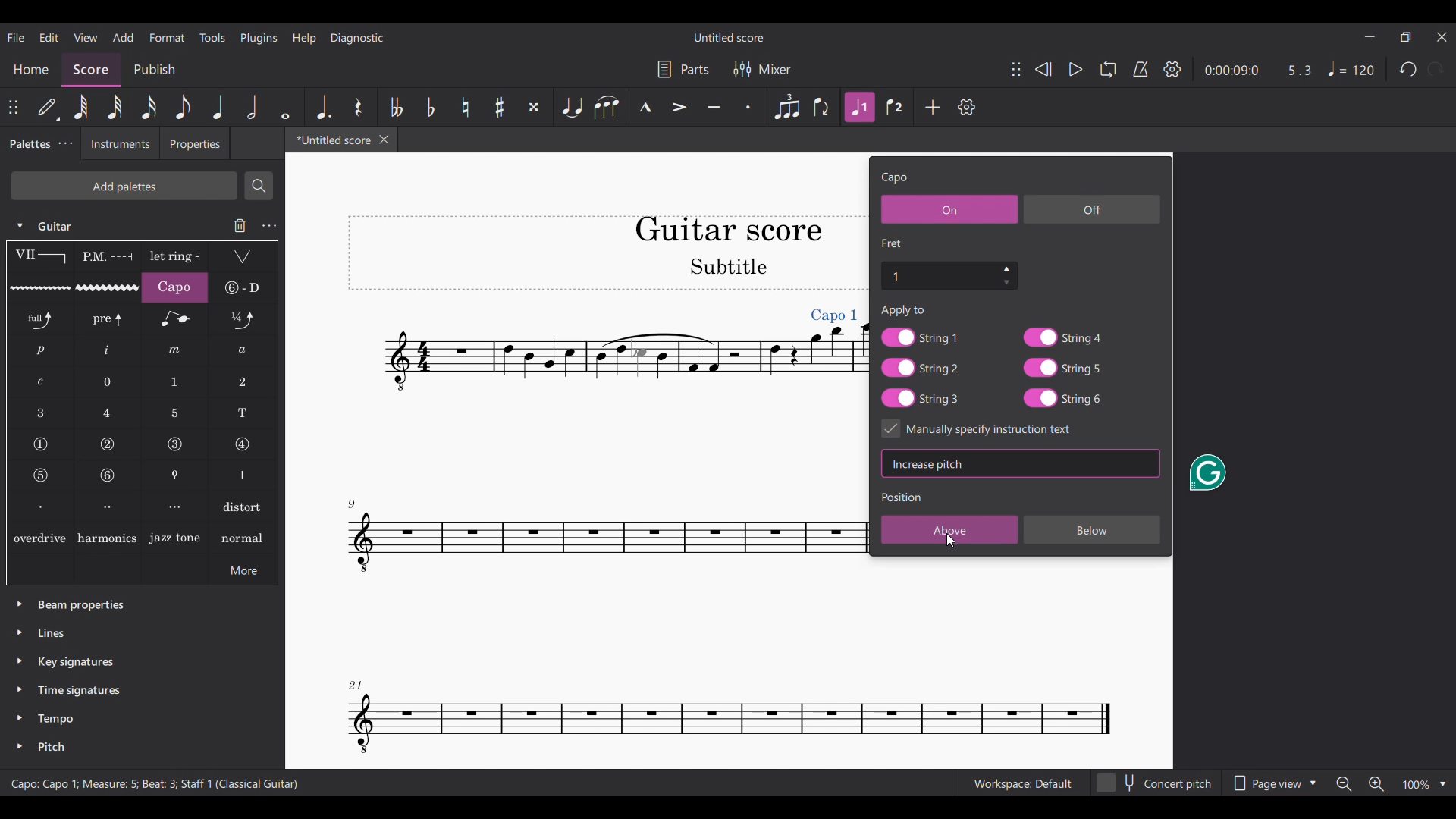 Image resolution: width=1456 pixels, height=819 pixels. I want to click on String 4 toggle, so click(1062, 337).